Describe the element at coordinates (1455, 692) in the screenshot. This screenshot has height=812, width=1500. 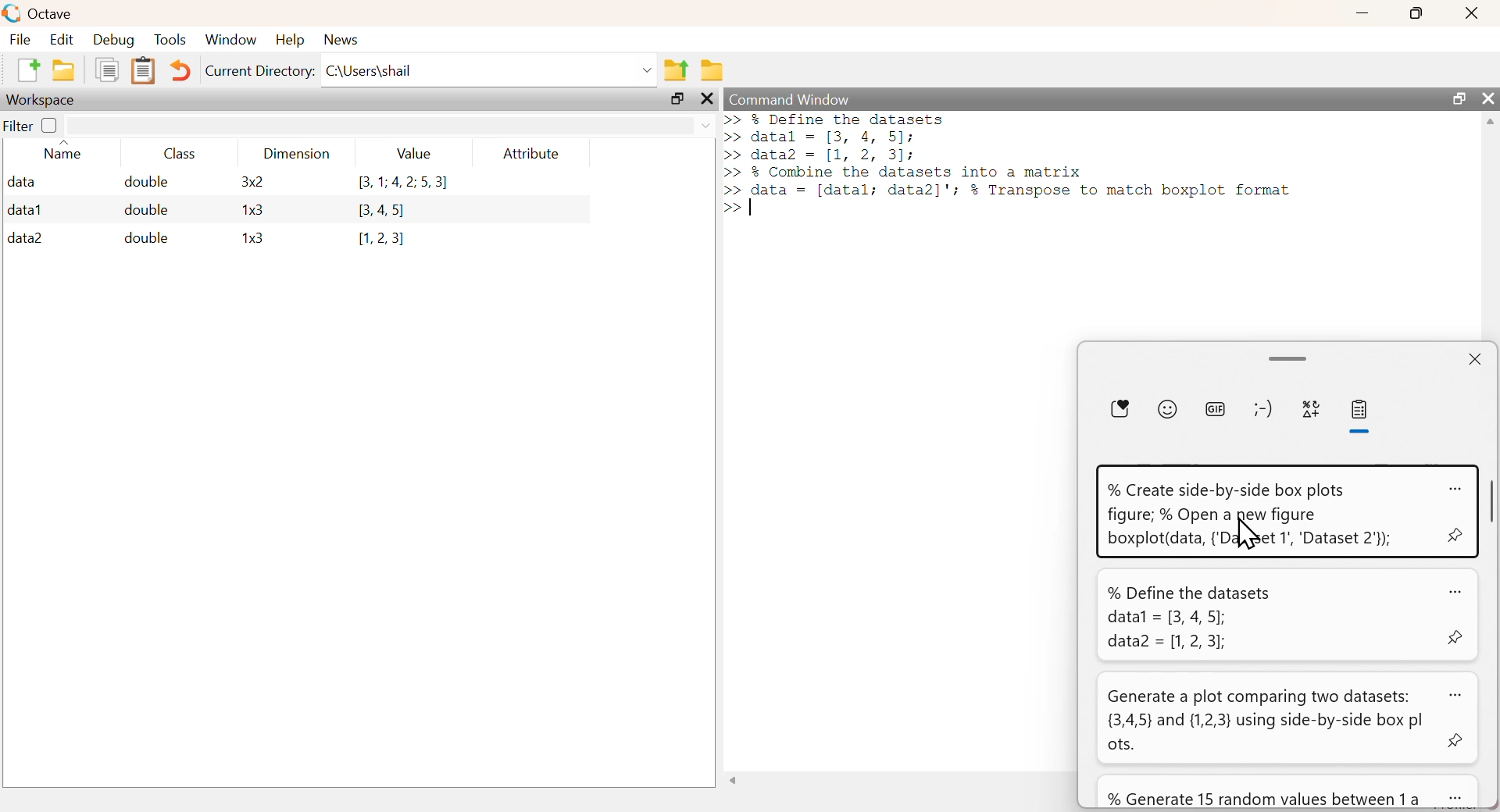
I see `more options` at that location.